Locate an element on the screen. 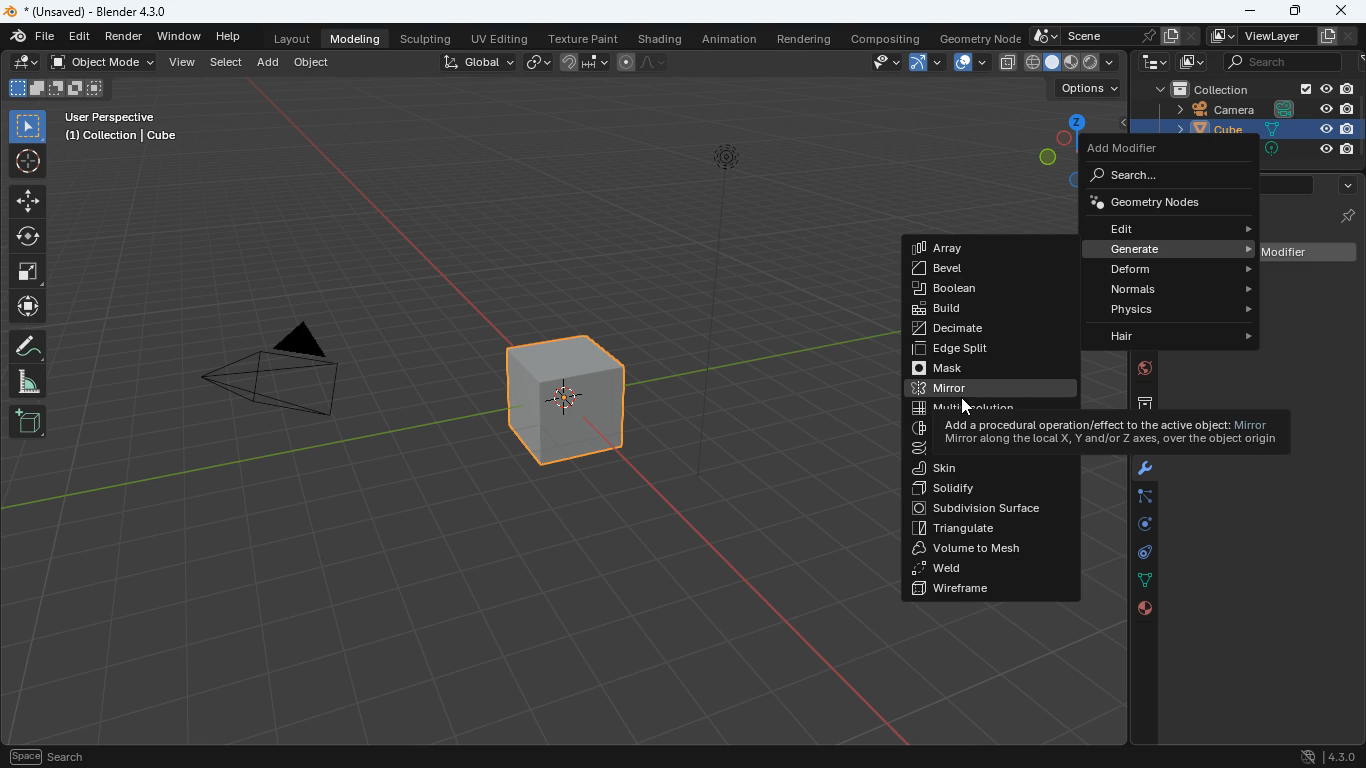 This screenshot has height=768, width=1366. close is located at coordinates (1343, 10).